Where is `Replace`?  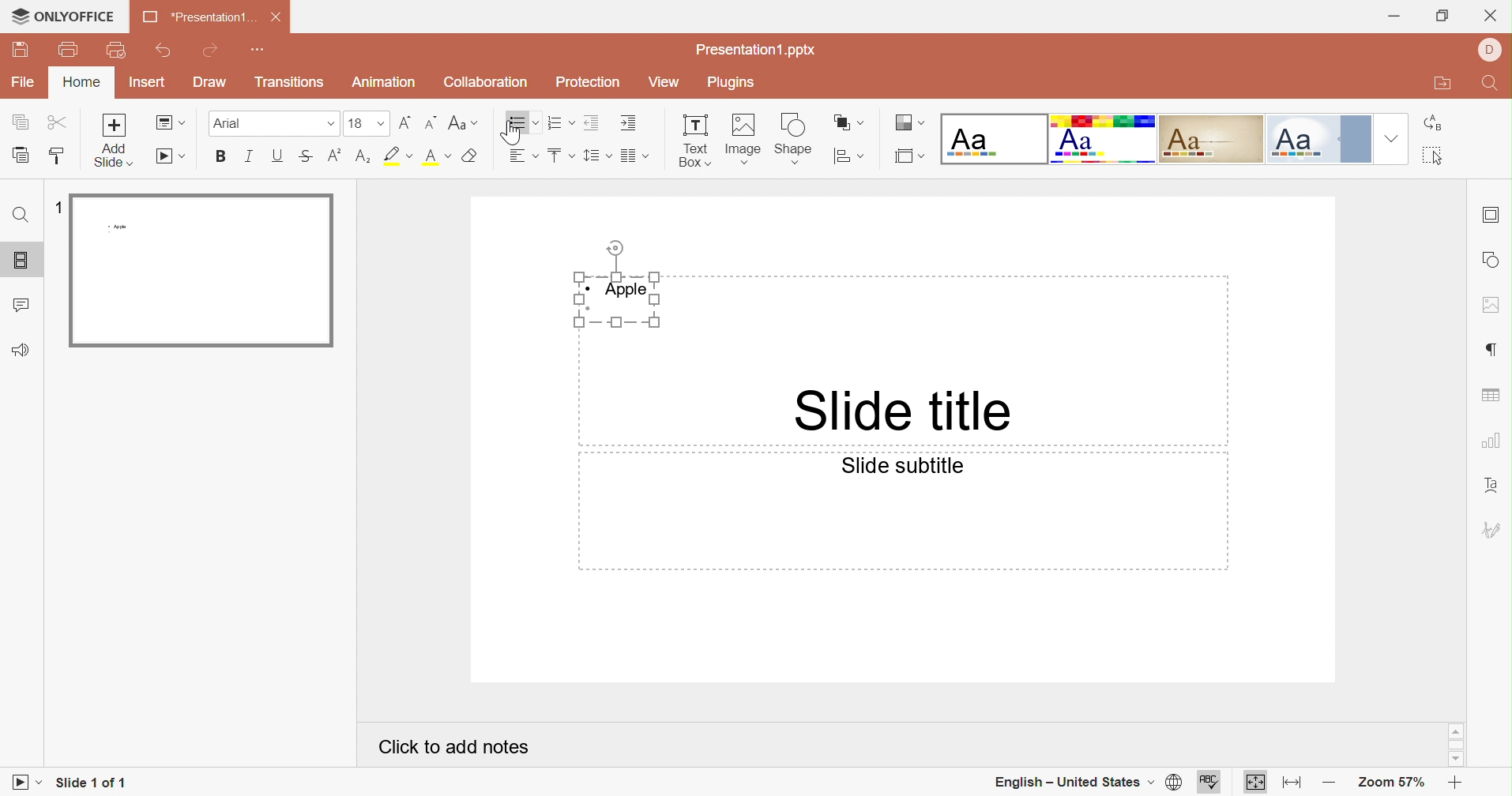
Replace is located at coordinates (1437, 126).